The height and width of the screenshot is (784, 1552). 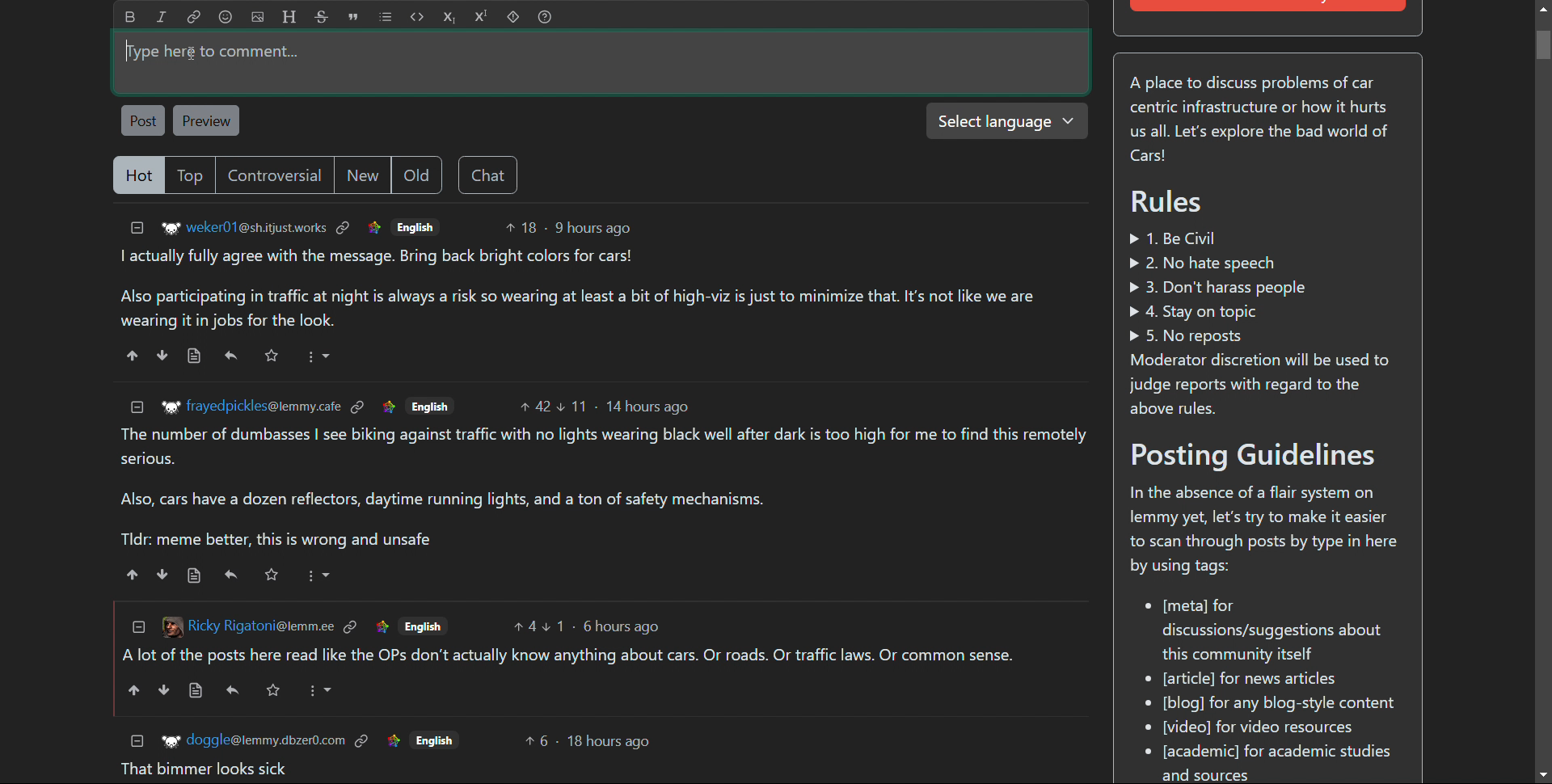 I want to click on The number of dumbasses | see biking against traffic with no lights wearing black well after dark is too high for me to find this remotely
serious.

Also, cars have a dozen reflectors, daytime running lights, and a ton of safety mechanisms.

Tldr: meme better, this is wrong and unsafe, so click(x=605, y=488).